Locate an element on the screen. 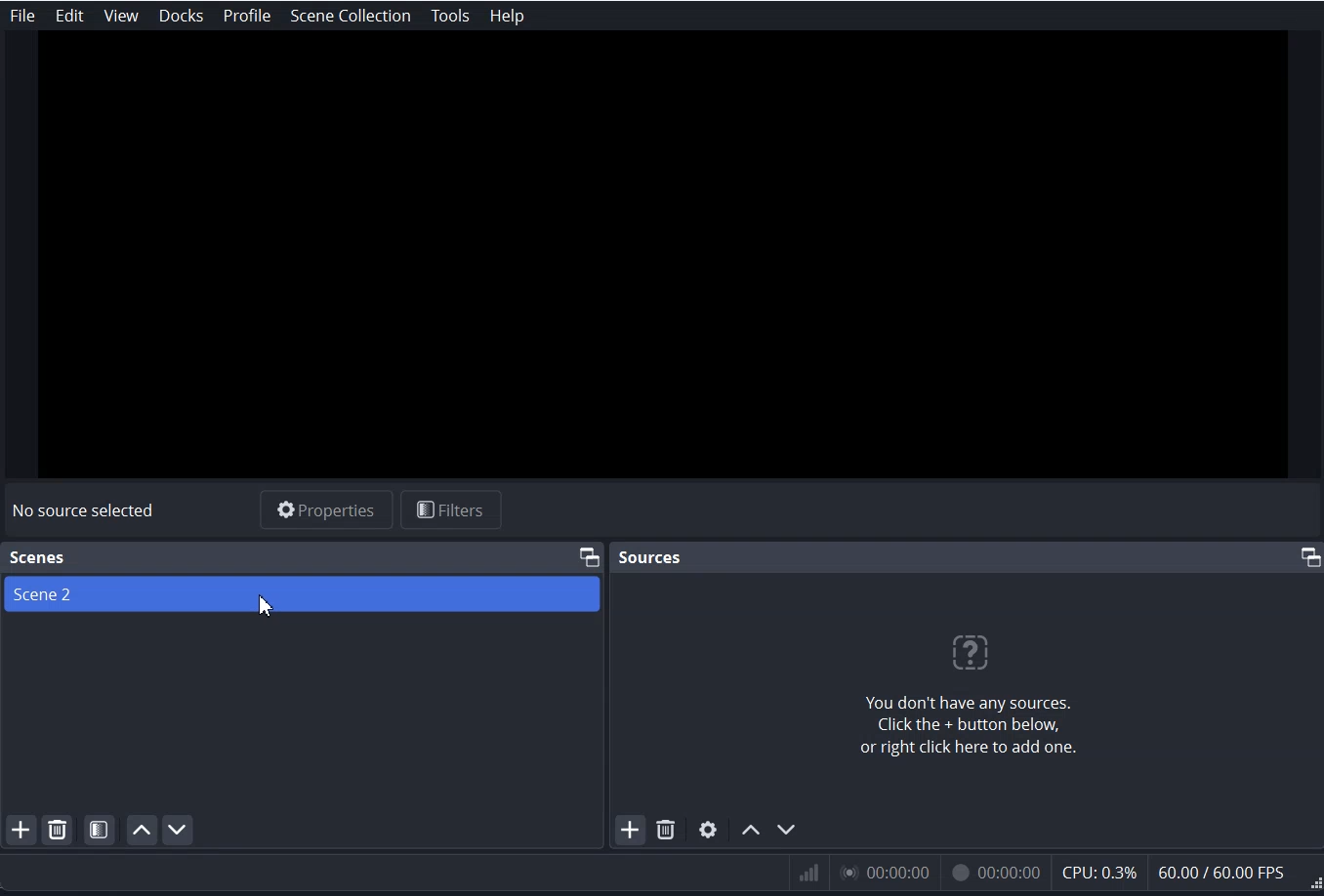  Remove selected Scene is located at coordinates (58, 830).